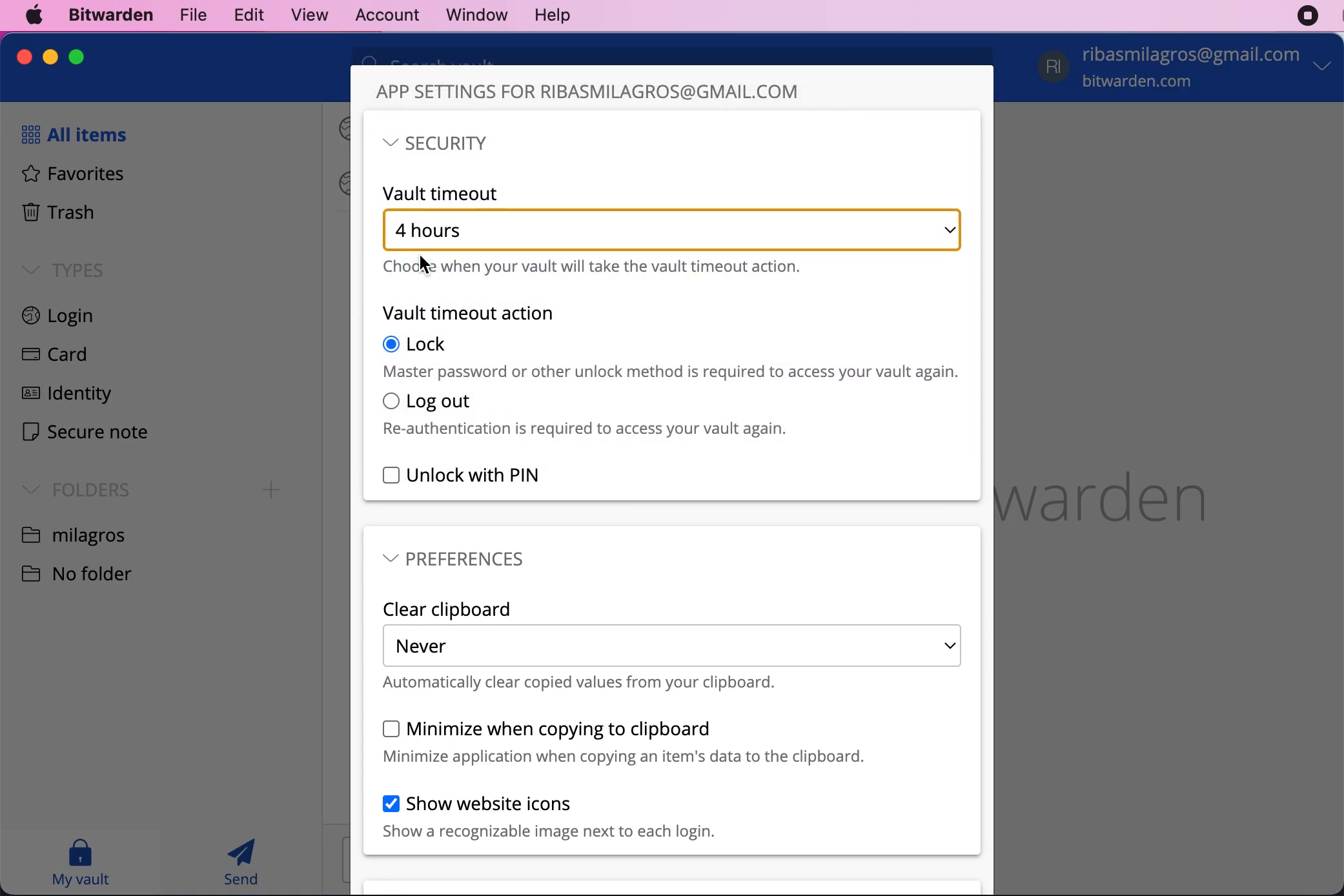  What do you see at coordinates (272, 490) in the screenshot?
I see `Add folder` at bounding box center [272, 490].